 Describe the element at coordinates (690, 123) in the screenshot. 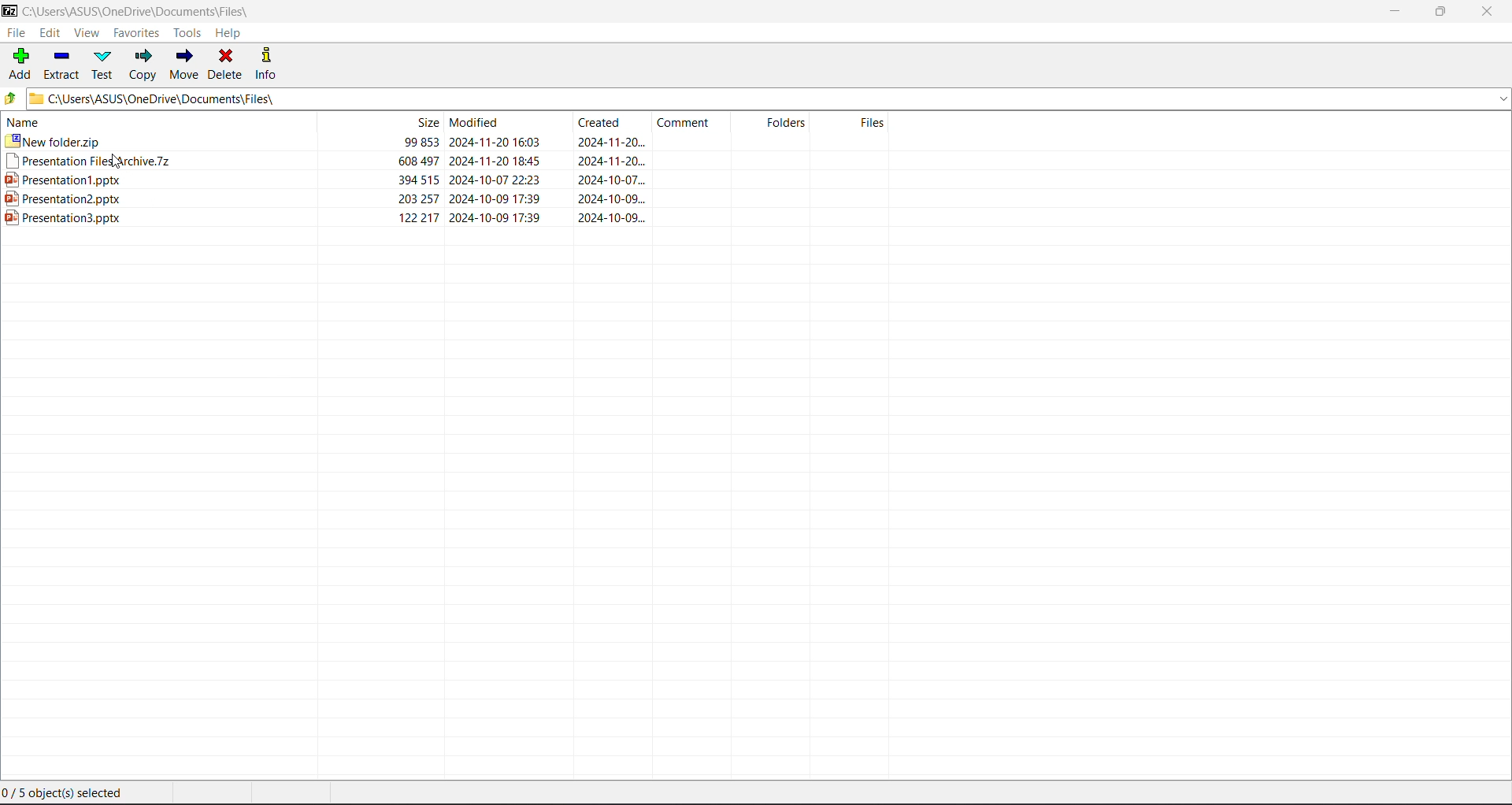

I see `Comment` at that location.